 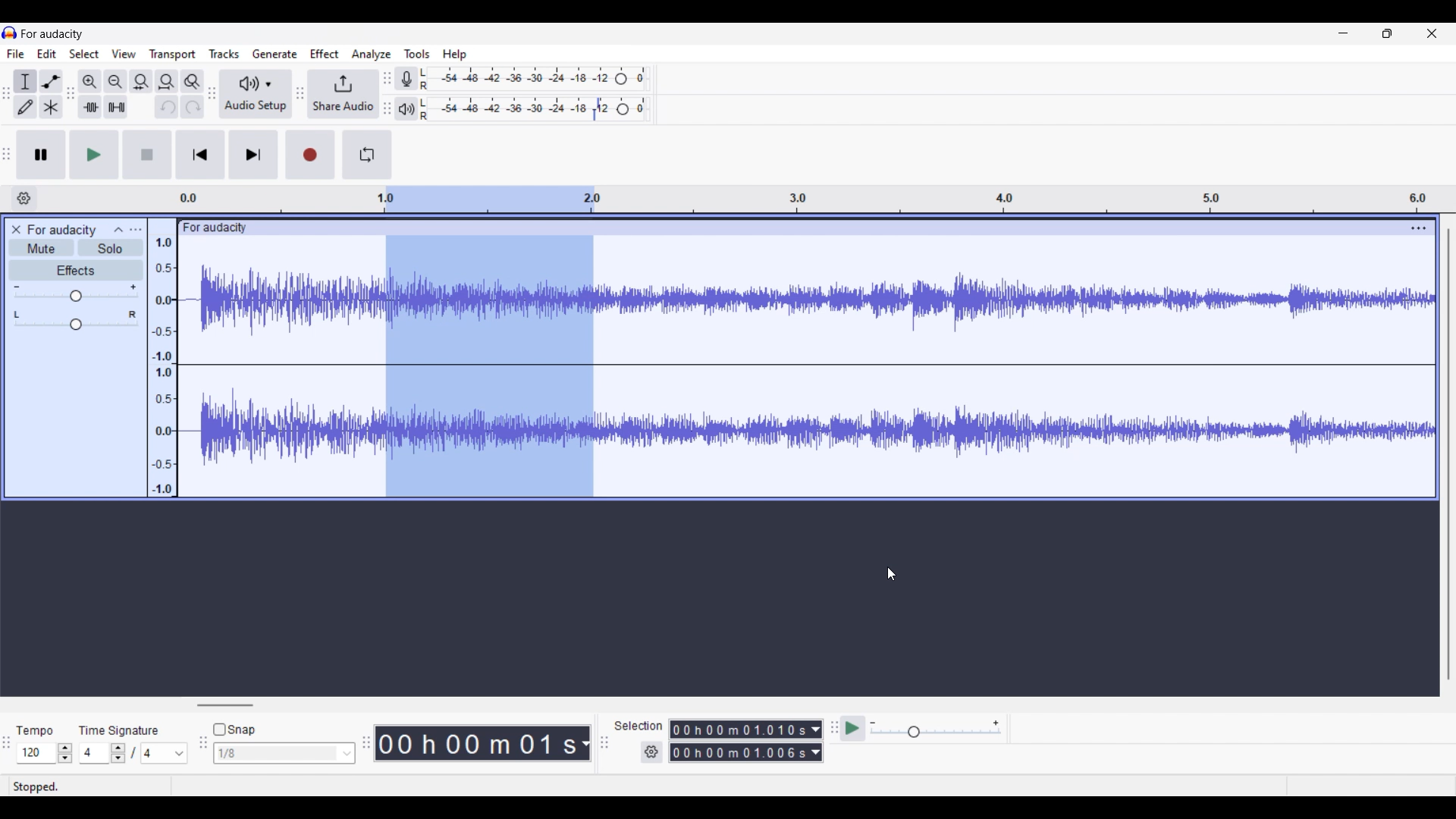 I want to click on Current track, so click(x=279, y=359).